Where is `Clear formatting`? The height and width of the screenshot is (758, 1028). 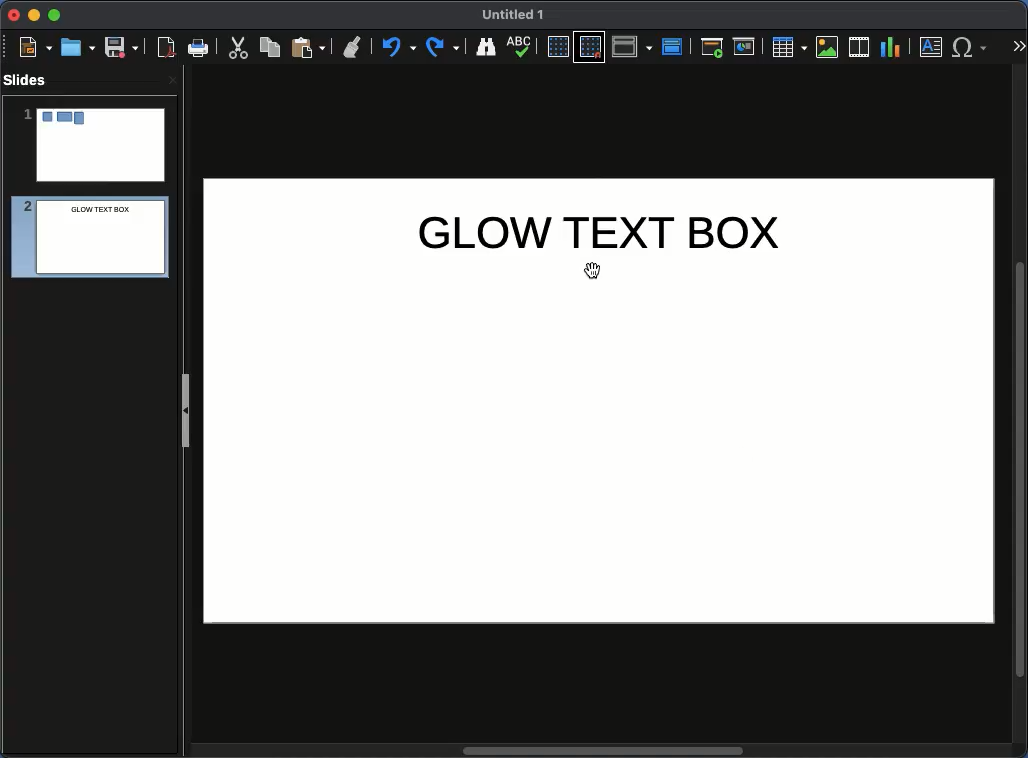 Clear formatting is located at coordinates (353, 45).